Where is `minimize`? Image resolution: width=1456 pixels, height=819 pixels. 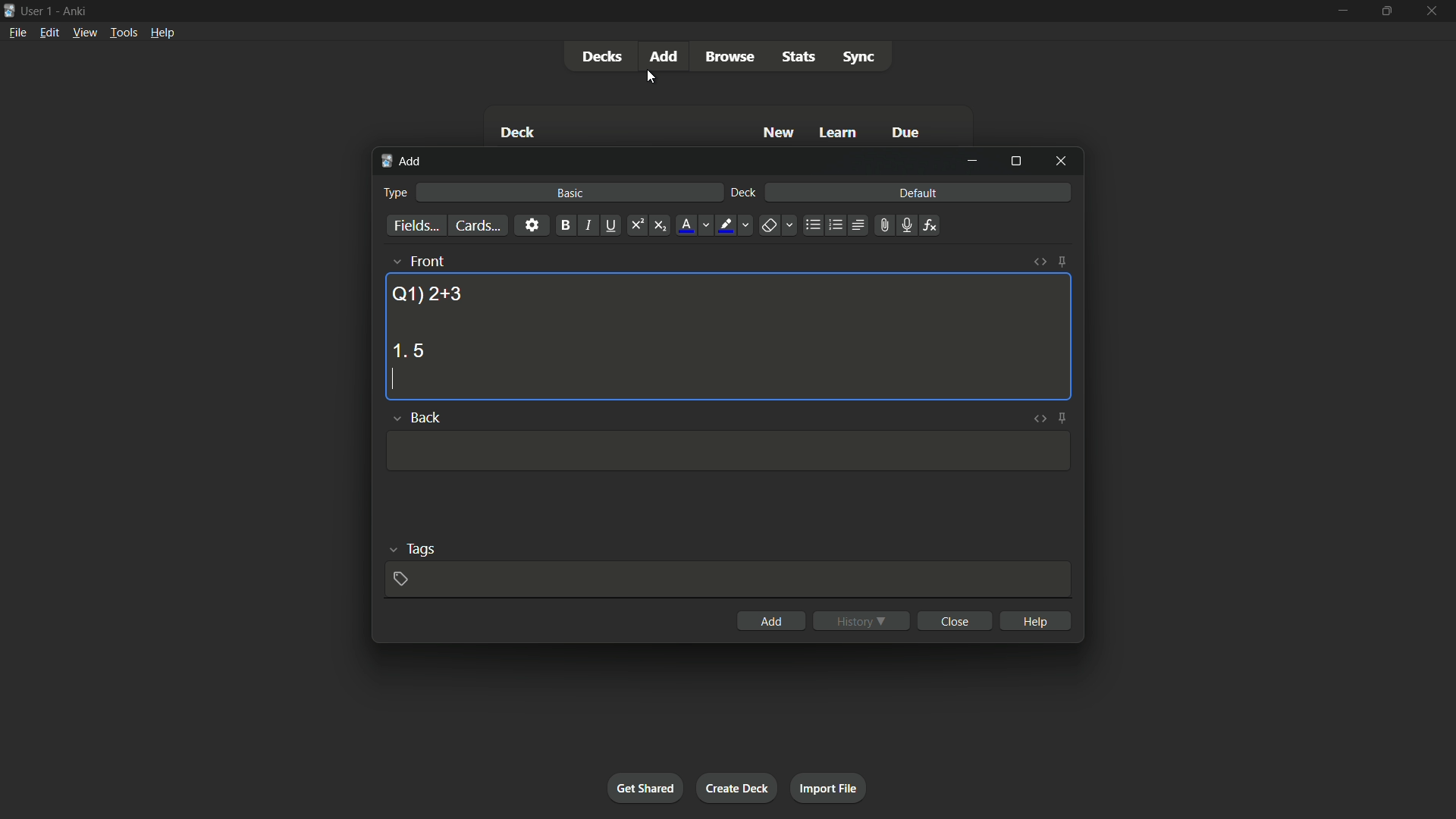
minimize is located at coordinates (1341, 10).